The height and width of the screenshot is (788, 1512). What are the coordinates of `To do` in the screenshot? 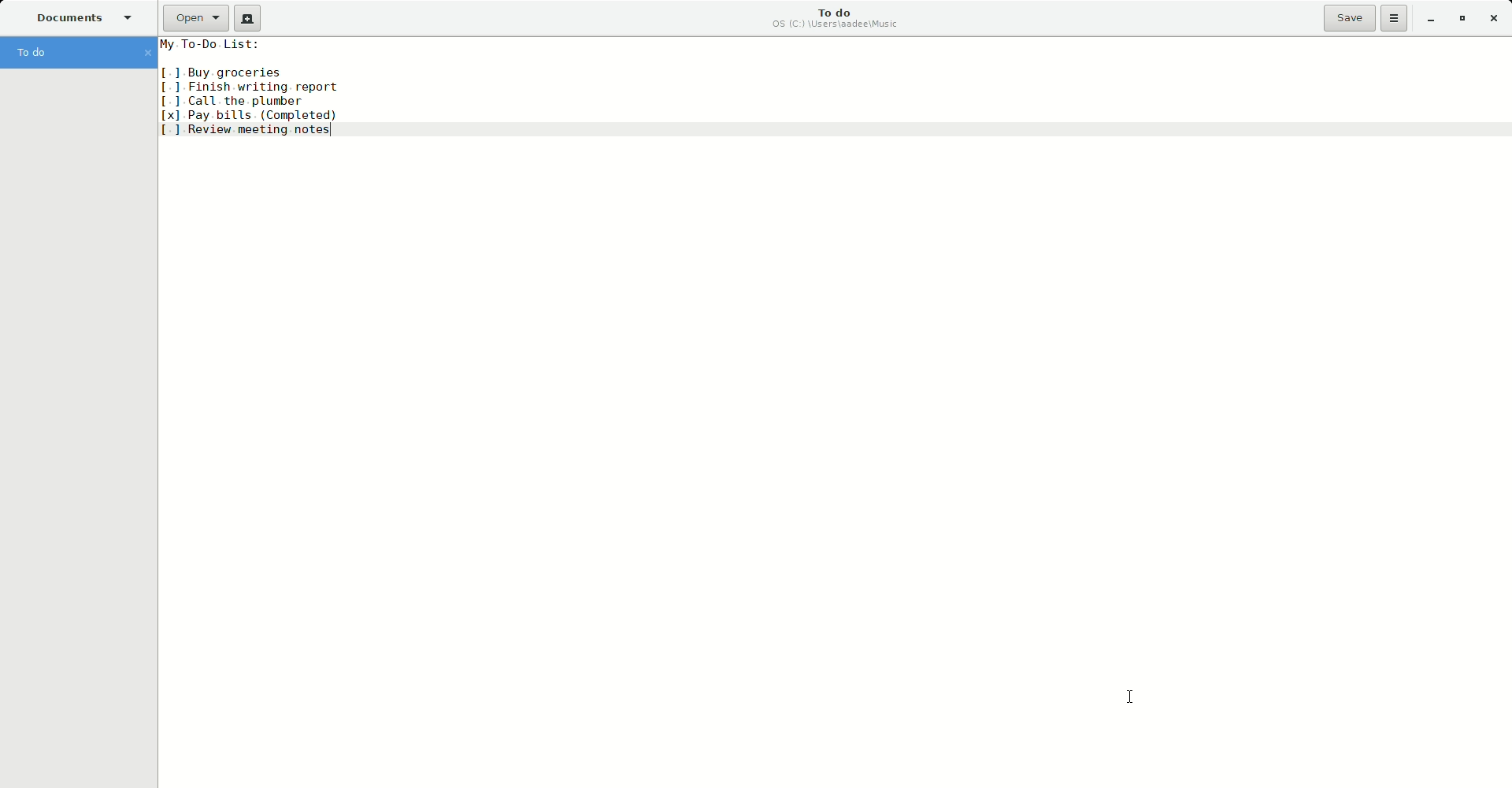 It's located at (80, 53).